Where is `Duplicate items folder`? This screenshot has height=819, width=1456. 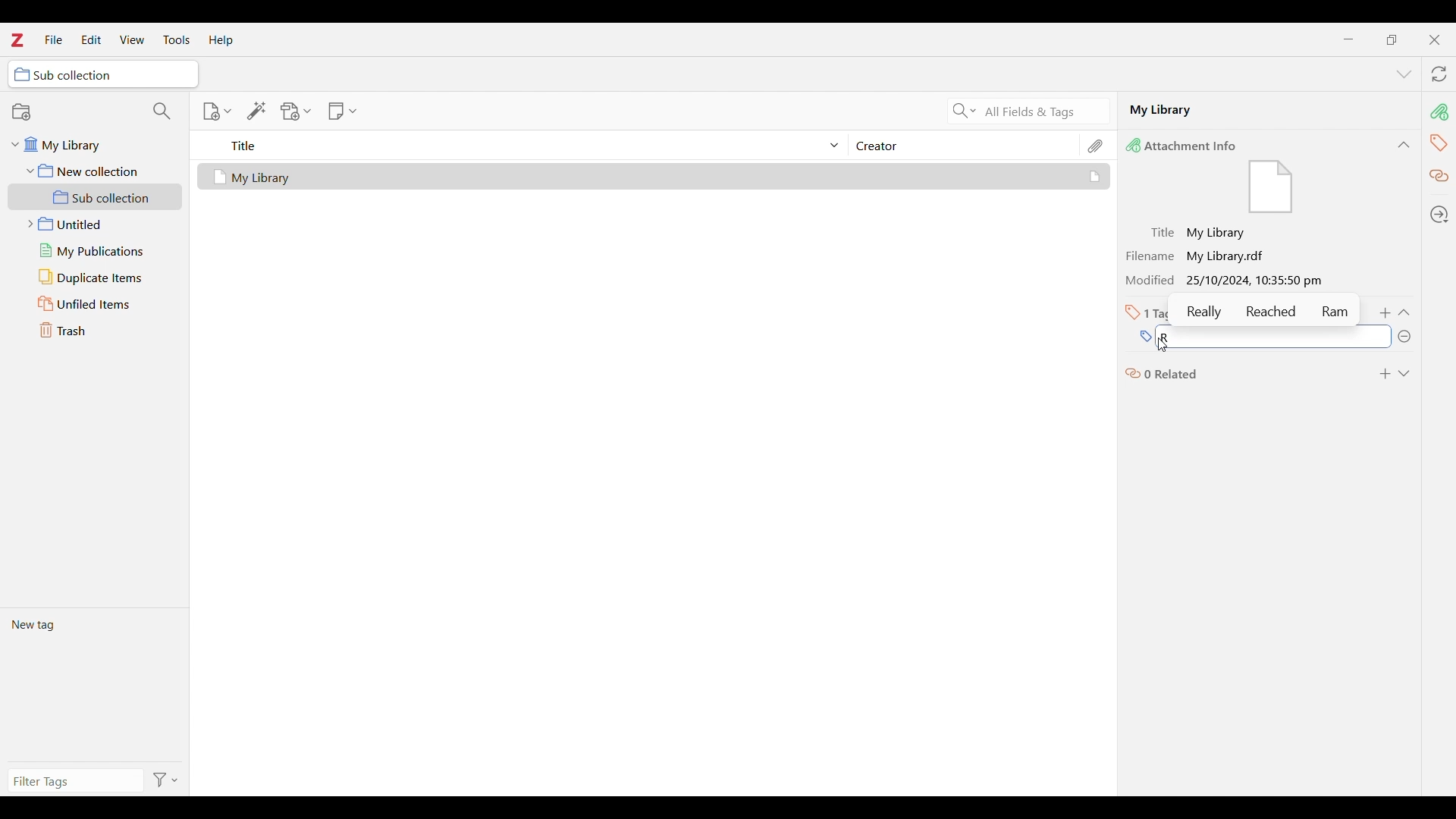
Duplicate items folder is located at coordinates (96, 278).